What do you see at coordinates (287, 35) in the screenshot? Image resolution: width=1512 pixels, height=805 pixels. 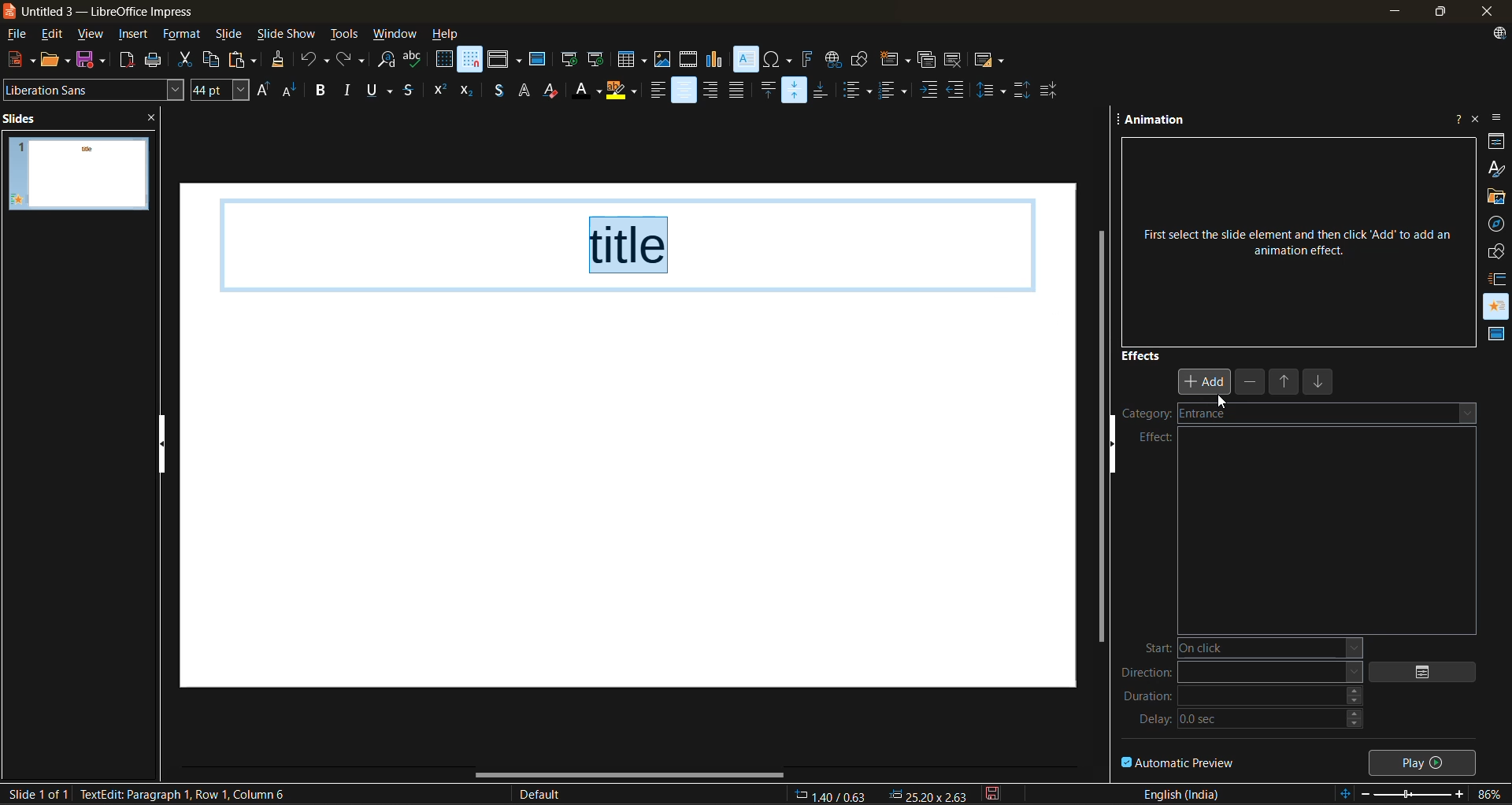 I see `slide show` at bounding box center [287, 35].